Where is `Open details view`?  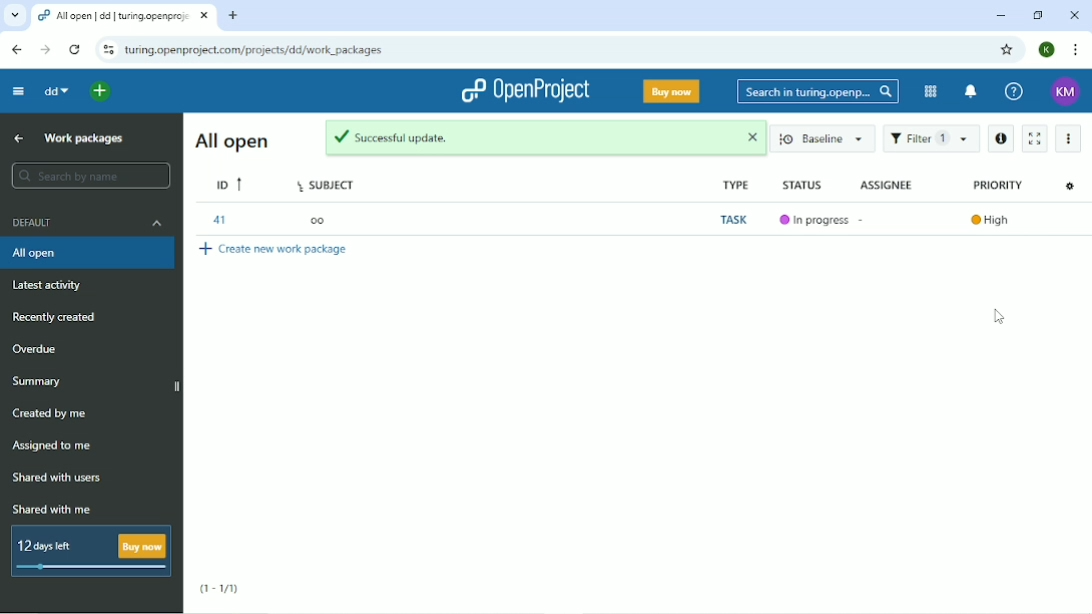 Open details view is located at coordinates (1059, 221).